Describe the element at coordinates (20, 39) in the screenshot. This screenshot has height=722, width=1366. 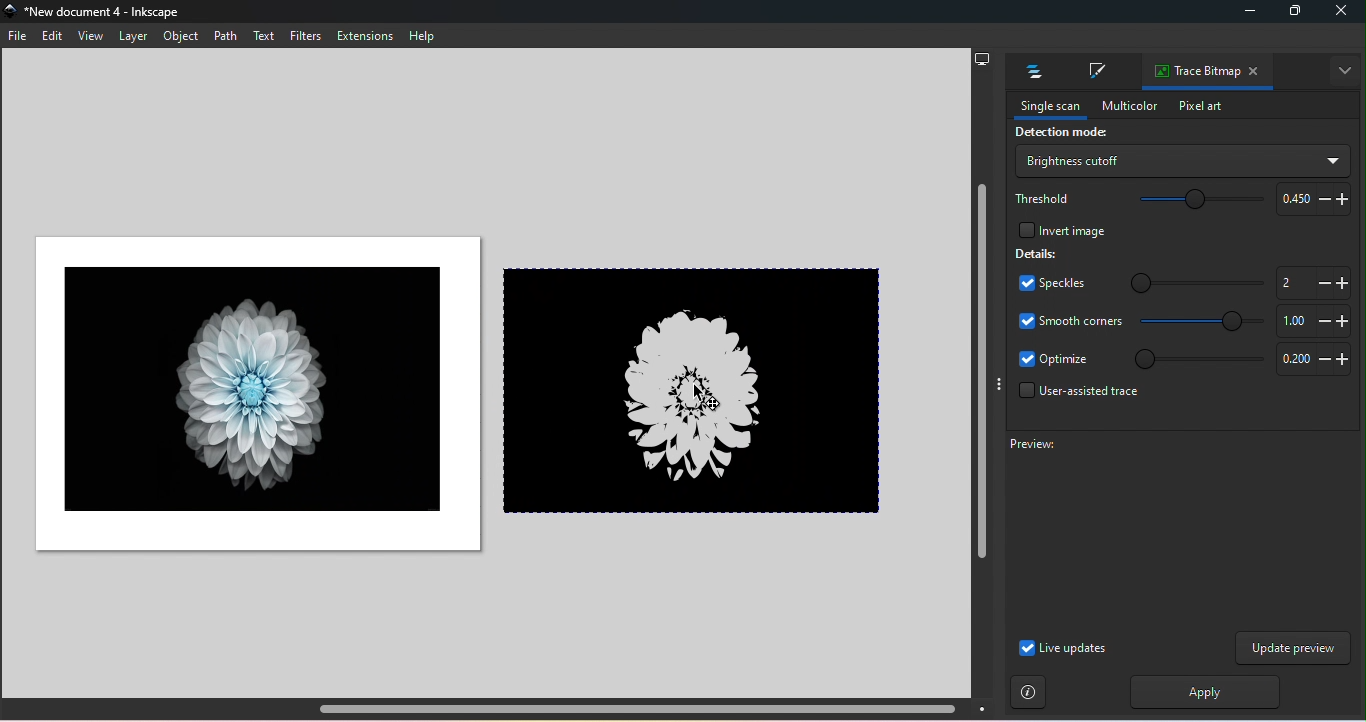
I see `File` at that location.